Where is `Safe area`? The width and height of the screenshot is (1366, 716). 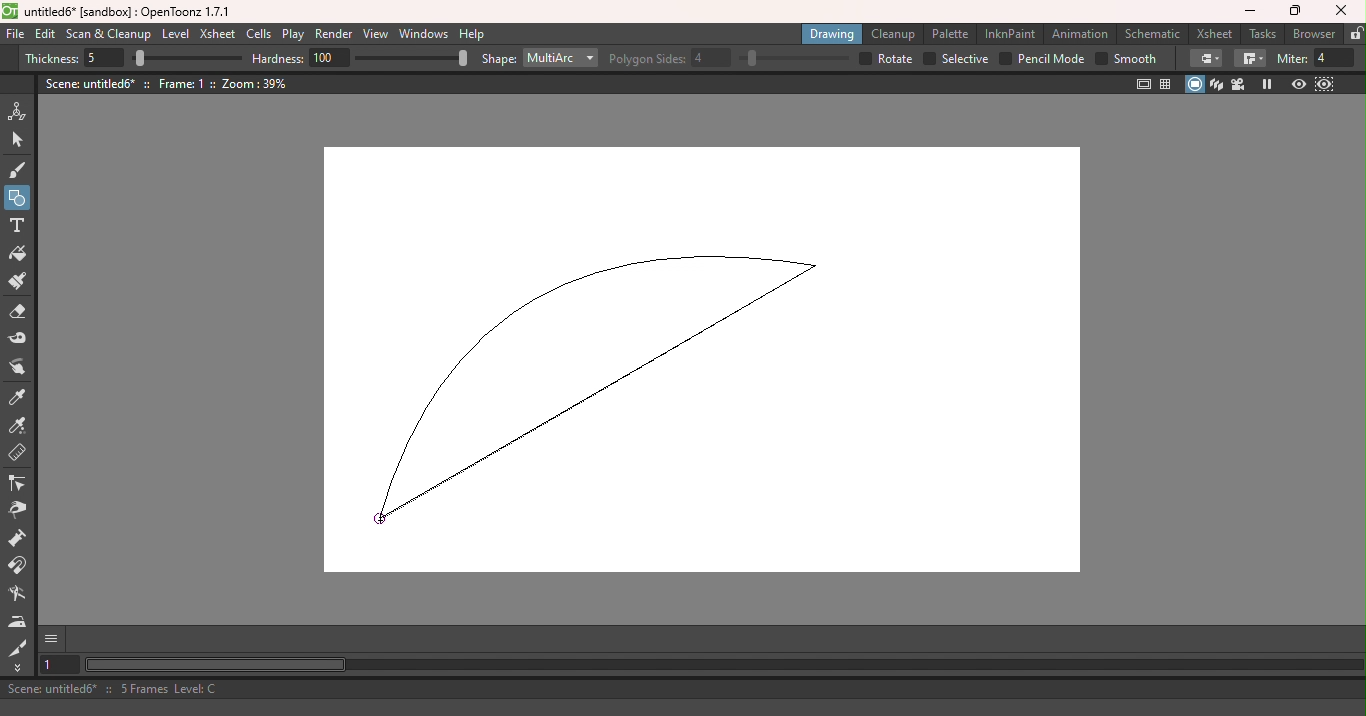
Safe area is located at coordinates (1144, 84).